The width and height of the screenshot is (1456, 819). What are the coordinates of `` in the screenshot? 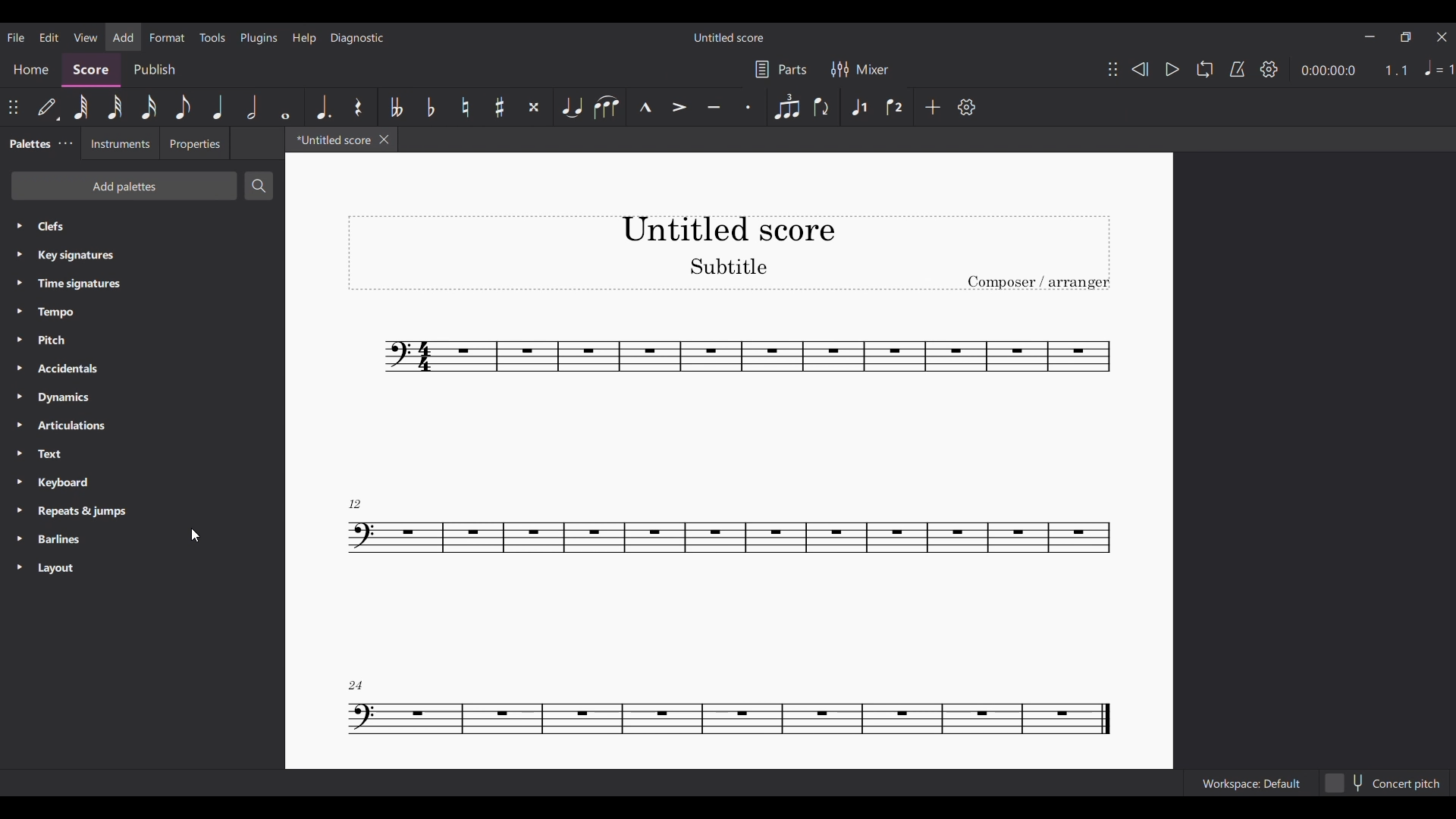 It's located at (115, 109).